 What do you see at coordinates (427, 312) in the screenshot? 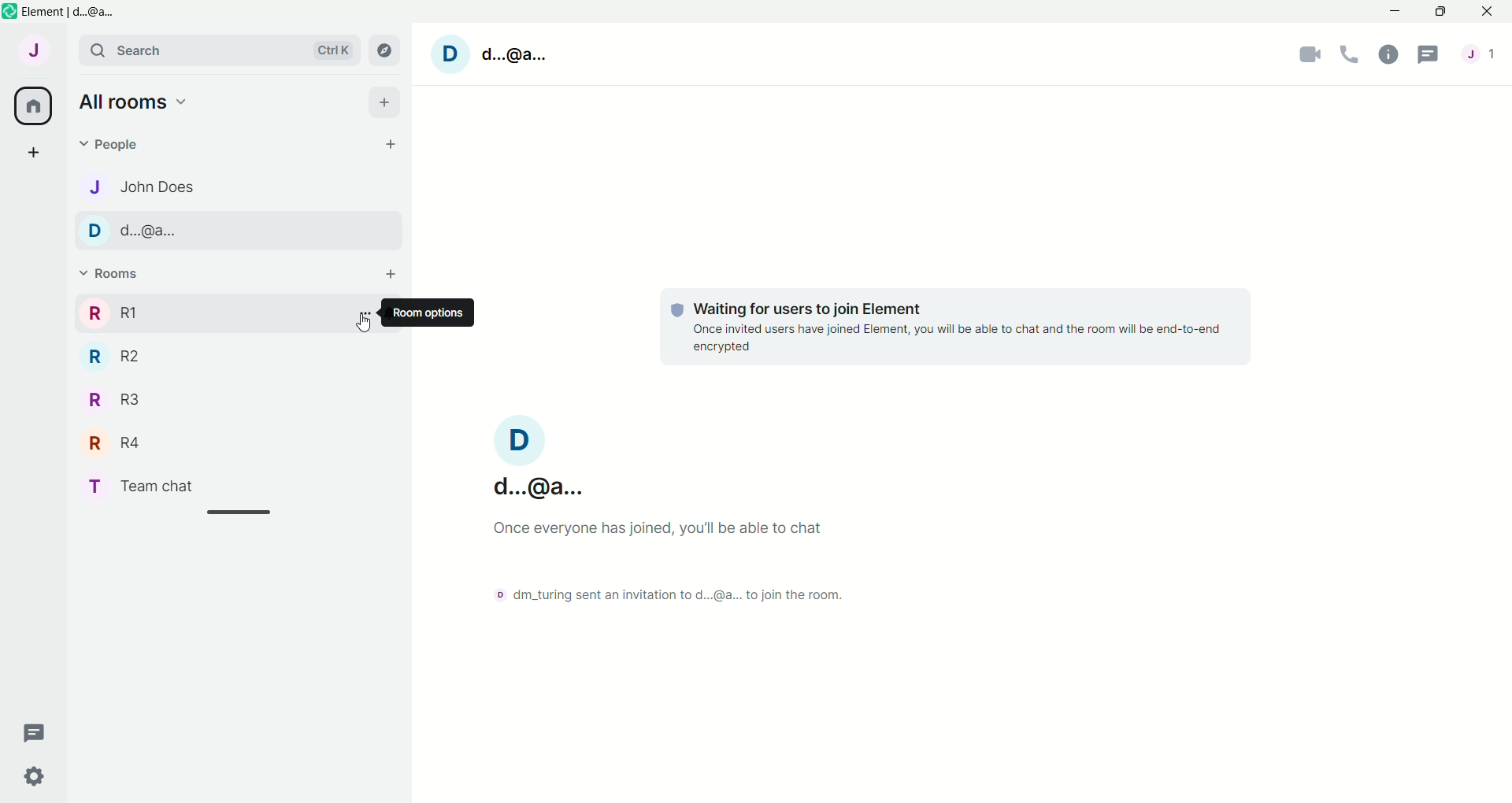
I see `Room options |` at bounding box center [427, 312].